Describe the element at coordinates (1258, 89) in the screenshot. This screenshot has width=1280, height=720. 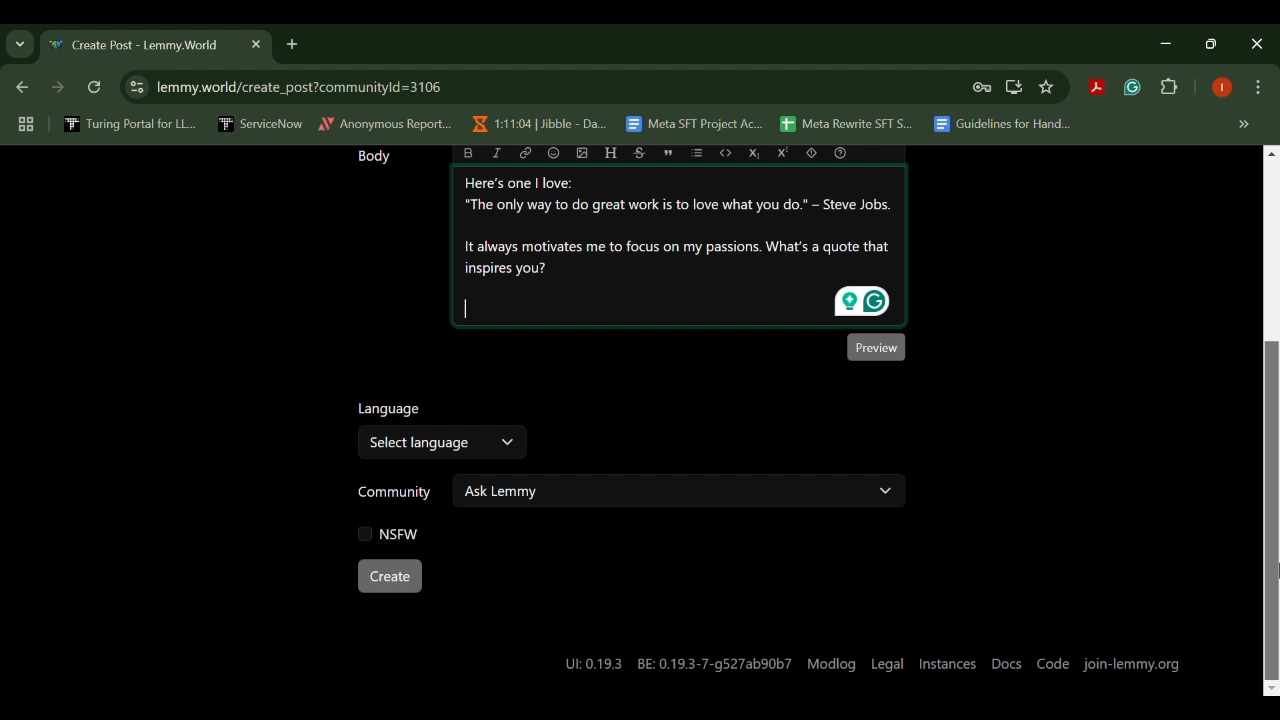
I see `Options` at that location.